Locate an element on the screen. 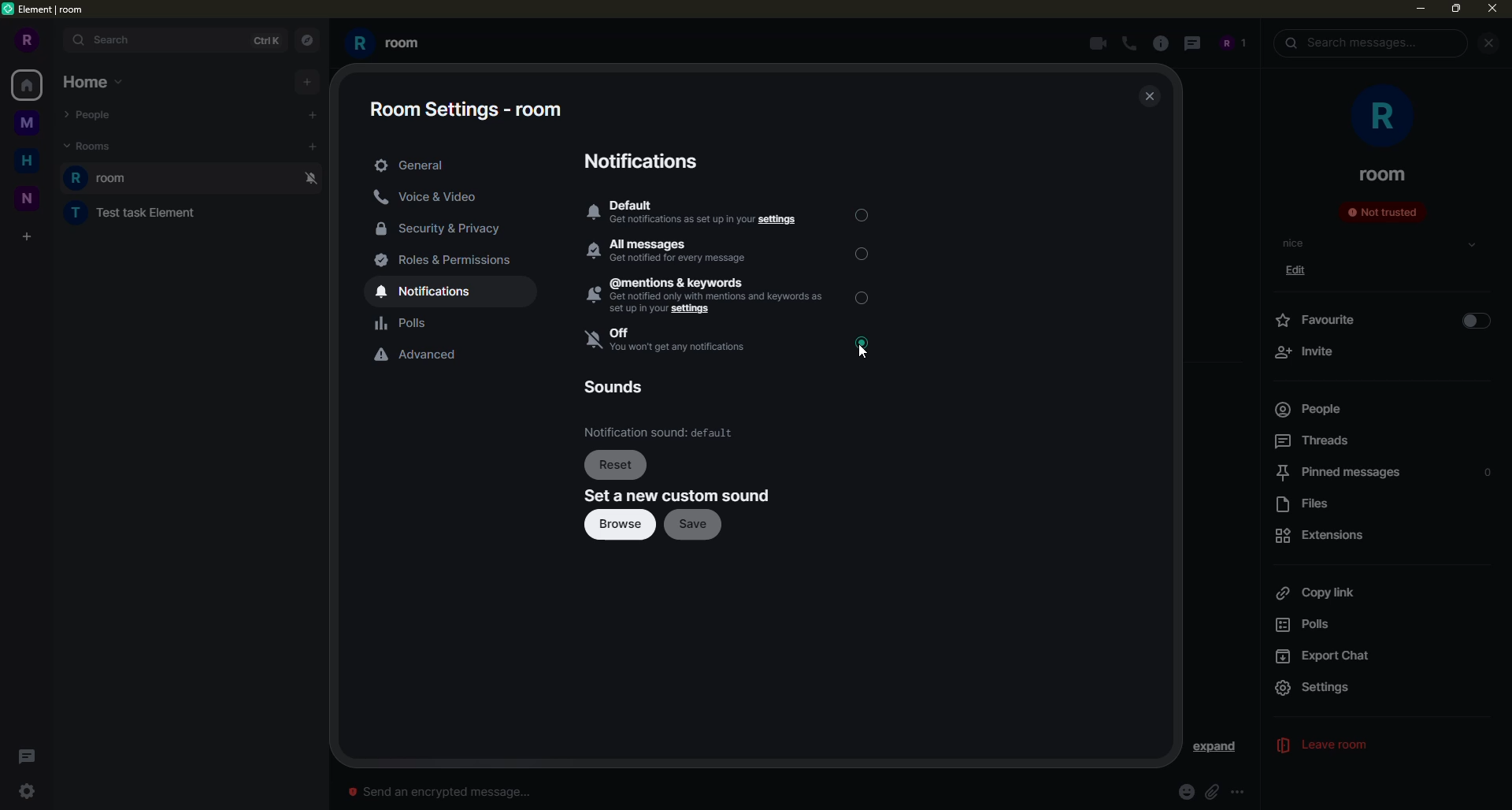 This screenshot has height=810, width=1512. roles& permissions is located at coordinates (446, 260).